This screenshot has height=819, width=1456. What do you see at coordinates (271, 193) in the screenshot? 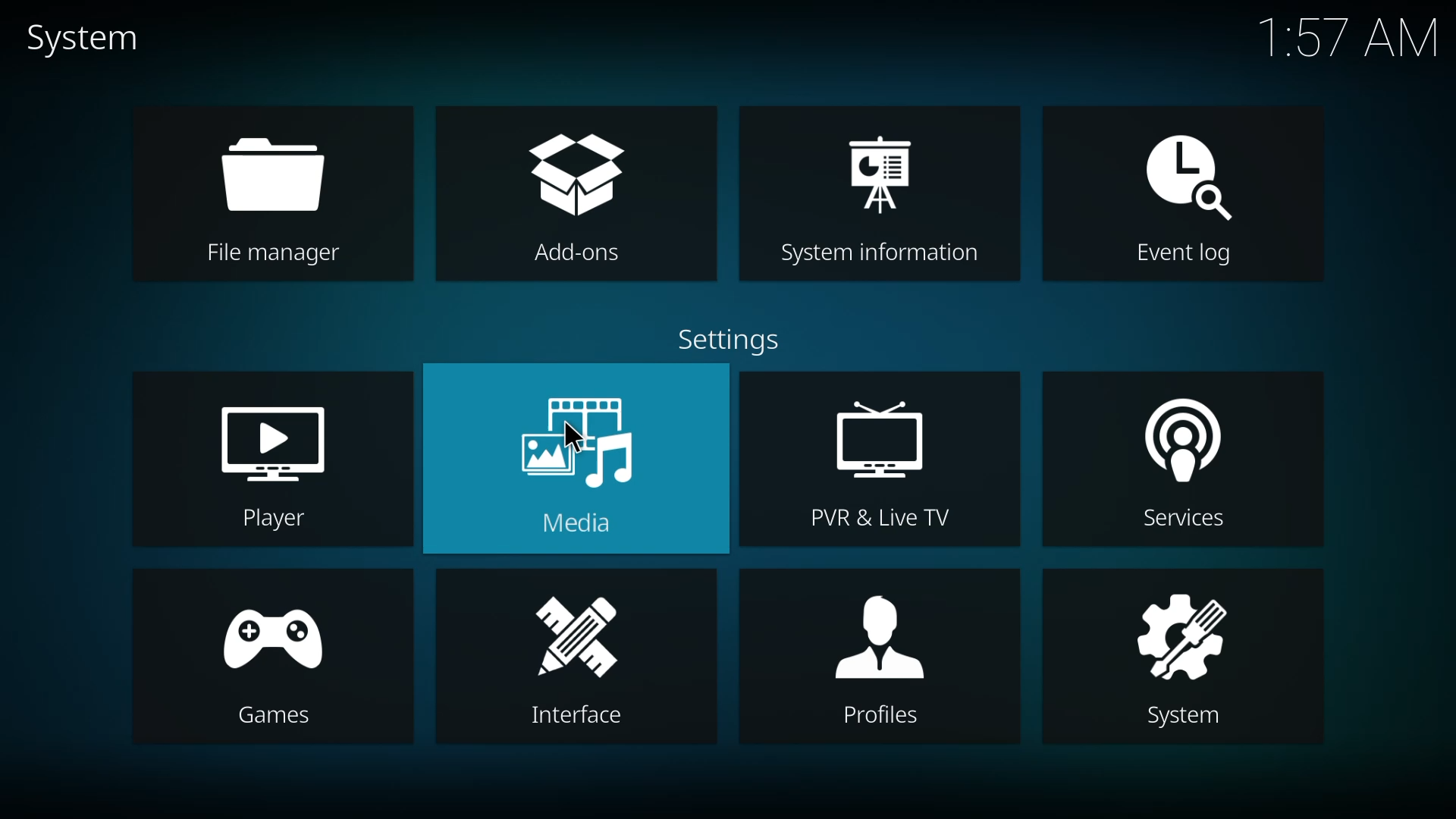
I see `file manager` at bounding box center [271, 193].